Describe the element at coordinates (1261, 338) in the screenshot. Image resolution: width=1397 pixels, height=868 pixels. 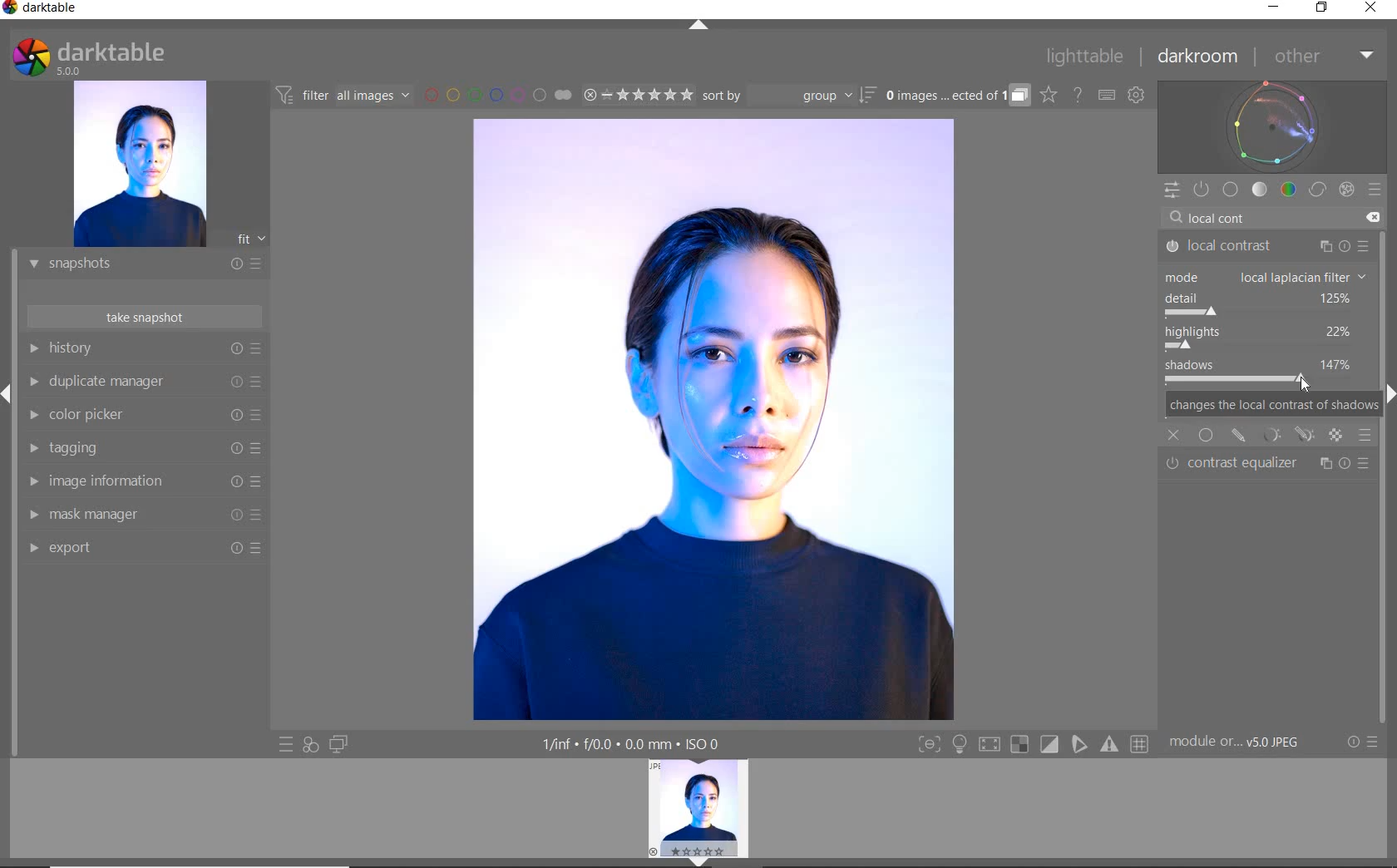
I see `highlights` at that location.